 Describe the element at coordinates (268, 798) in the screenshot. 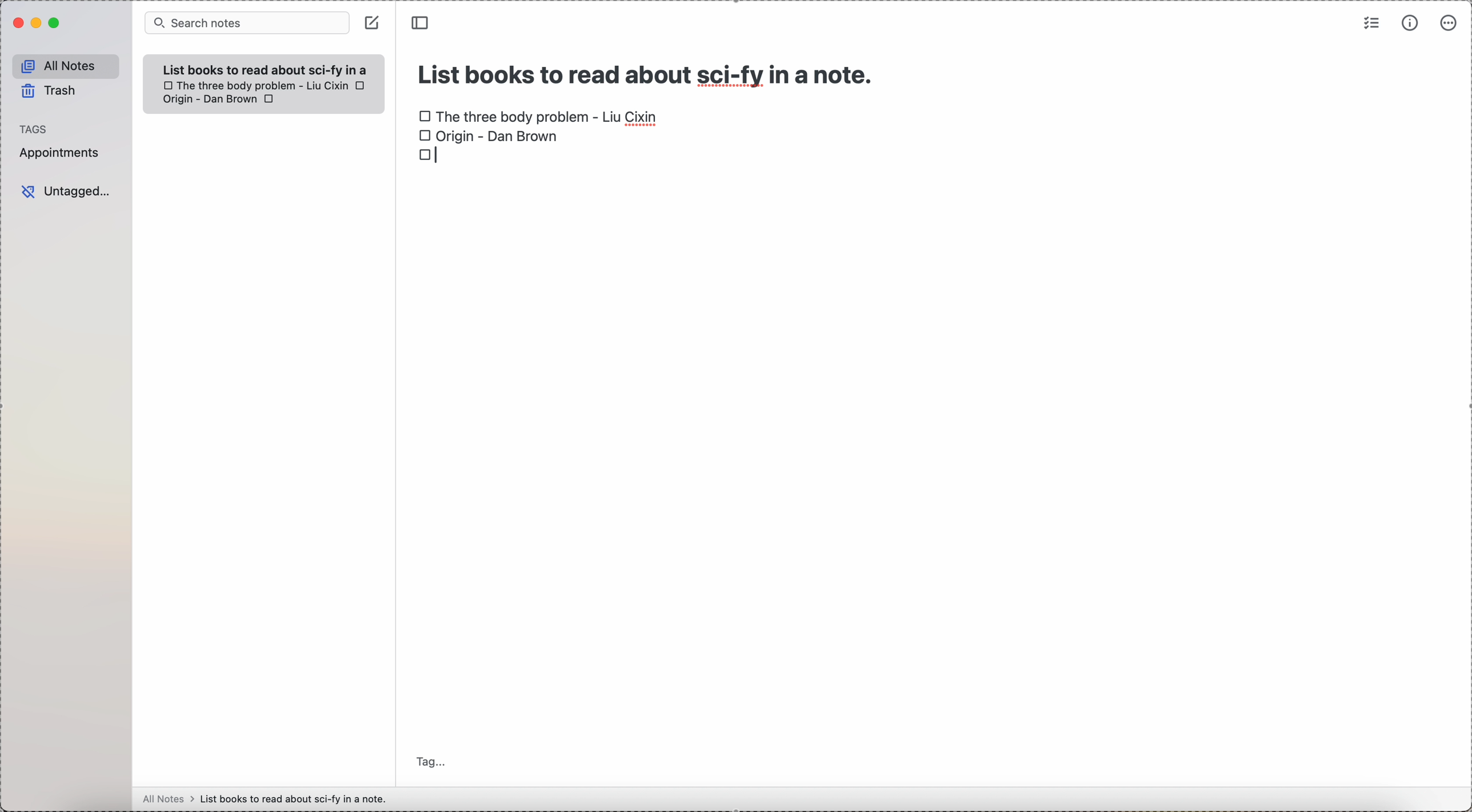

I see `all notes > List books to read about sci-fy in a note.` at that location.